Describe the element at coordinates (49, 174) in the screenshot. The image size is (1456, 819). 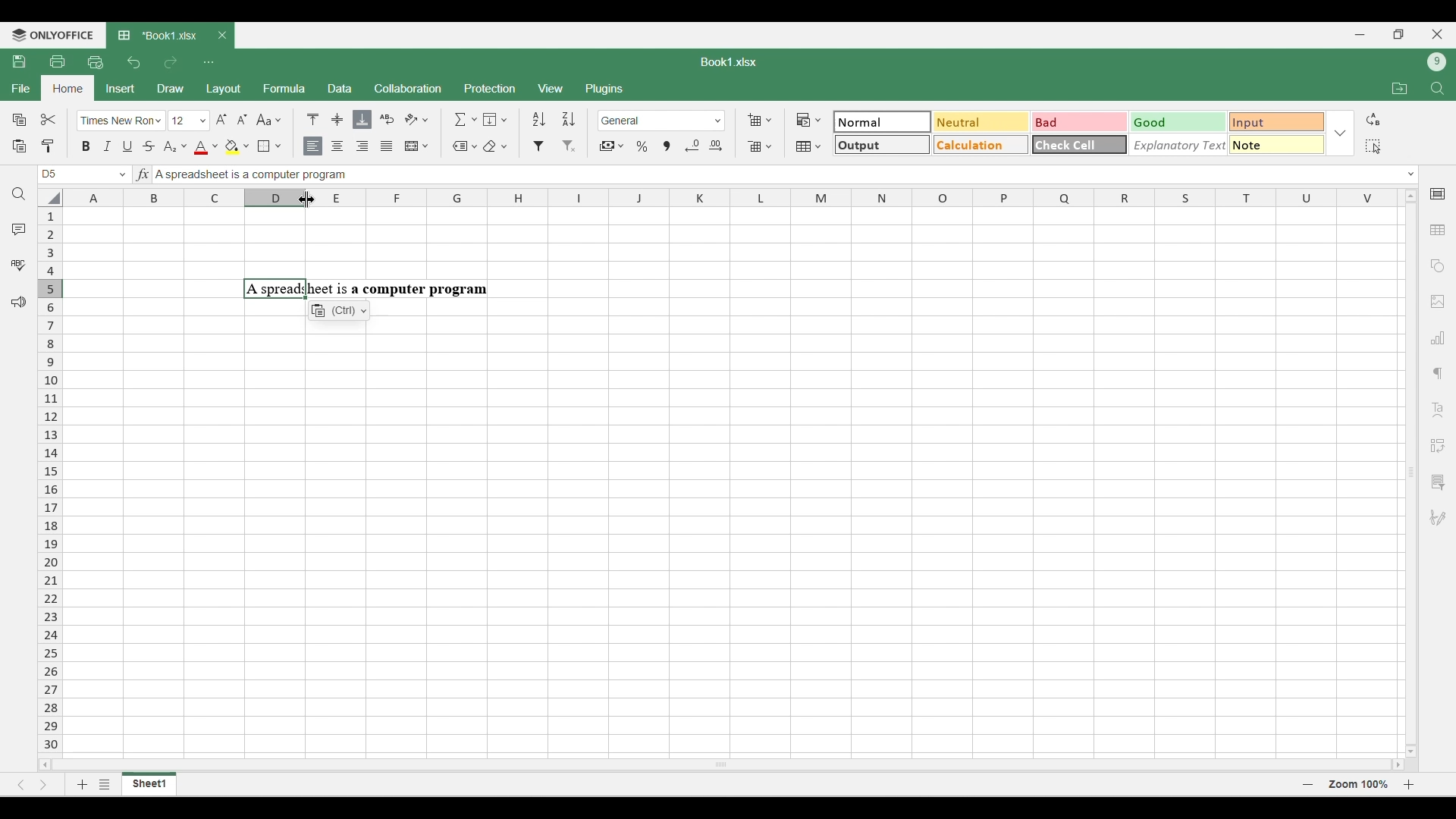
I see `Selected cell` at that location.